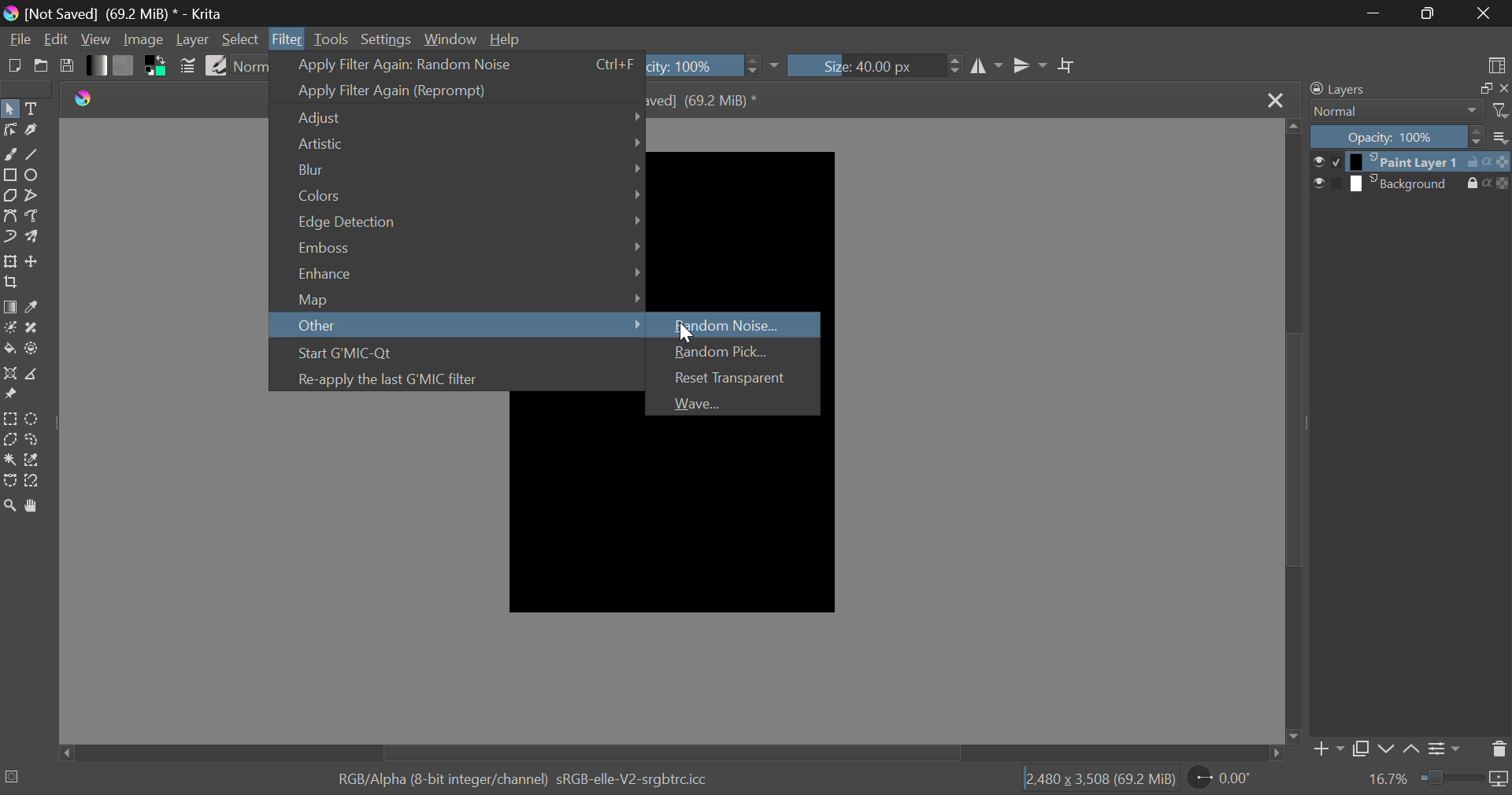  Describe the element at coordinates (9, 154) in the screenshot. I see `Freehand` at that location.